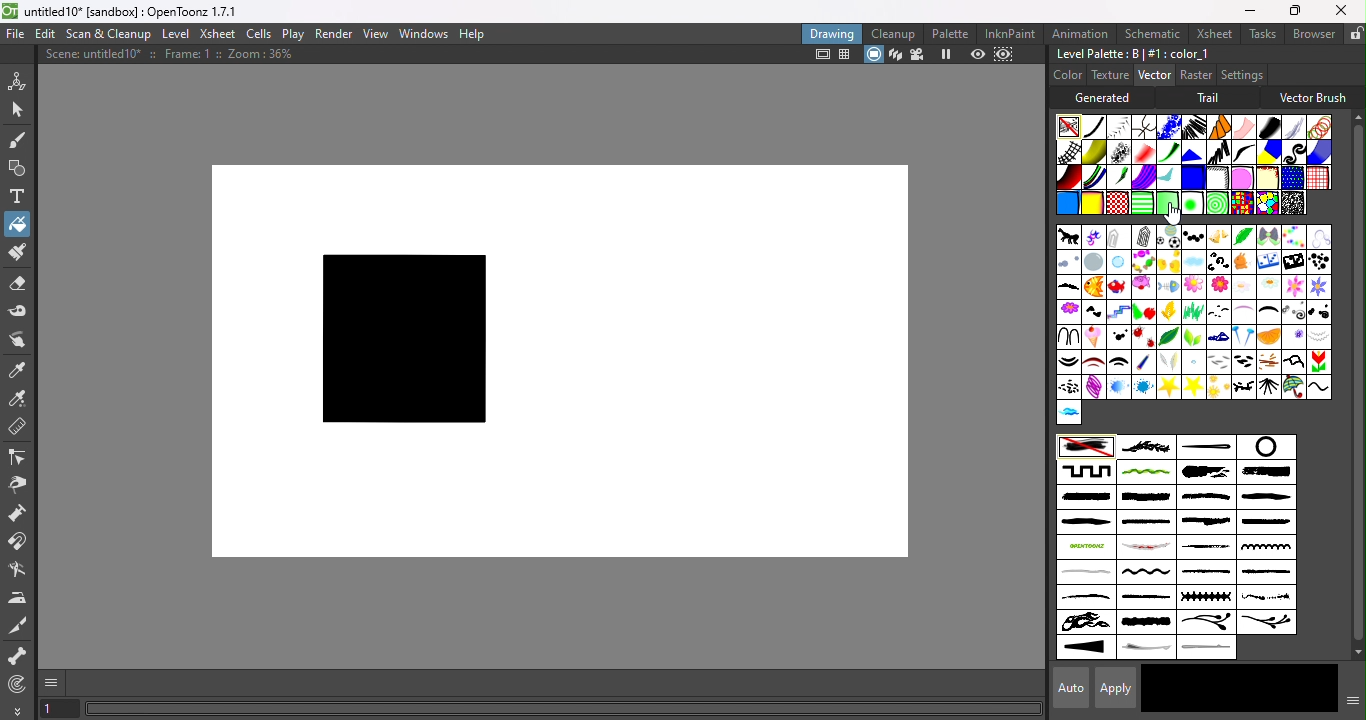  Describe the element at coordinates (1295, 152) in the screenshot. I see `Curl` at that location.